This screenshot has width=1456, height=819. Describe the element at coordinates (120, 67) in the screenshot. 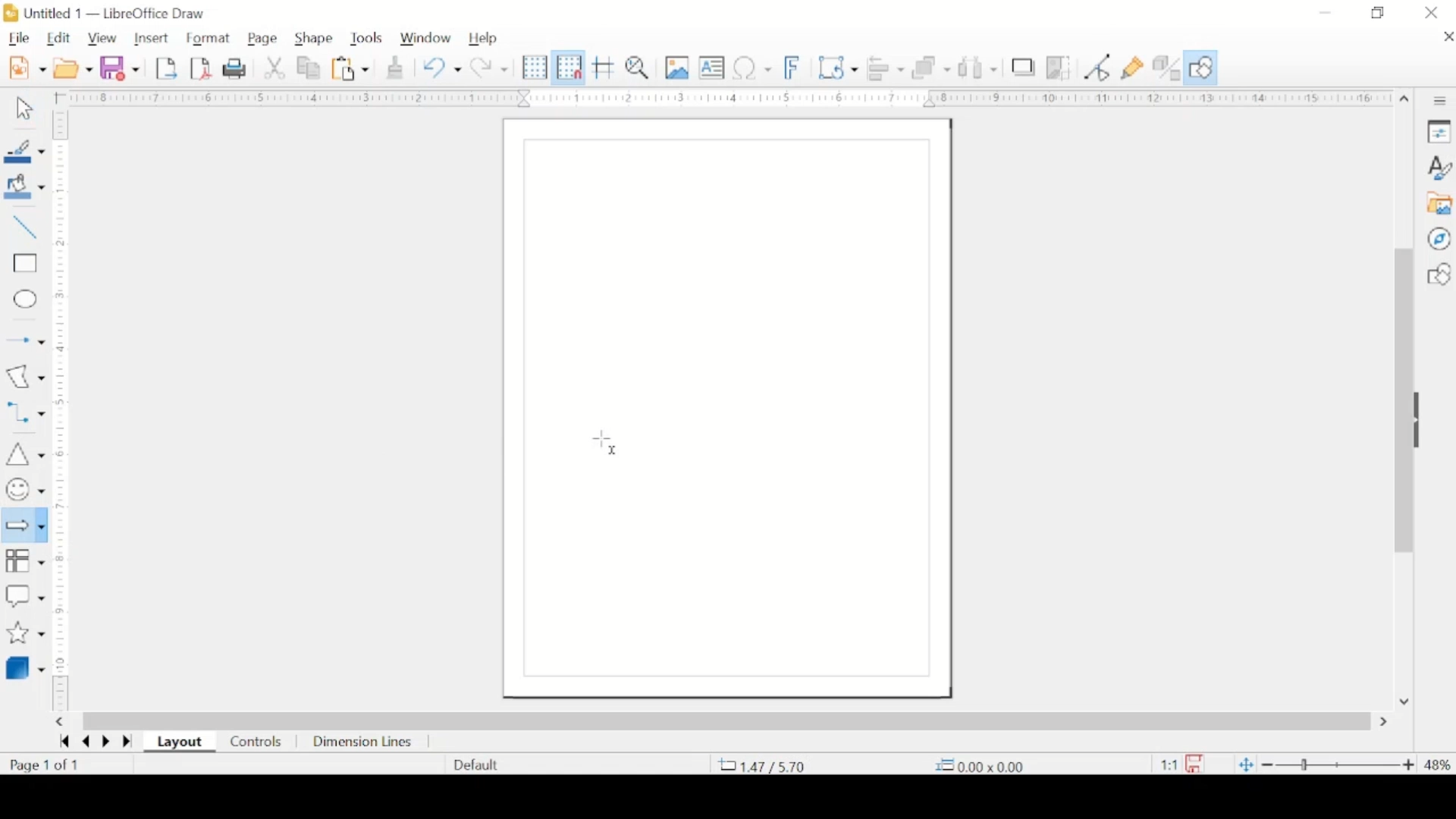

I see `save` at that location.